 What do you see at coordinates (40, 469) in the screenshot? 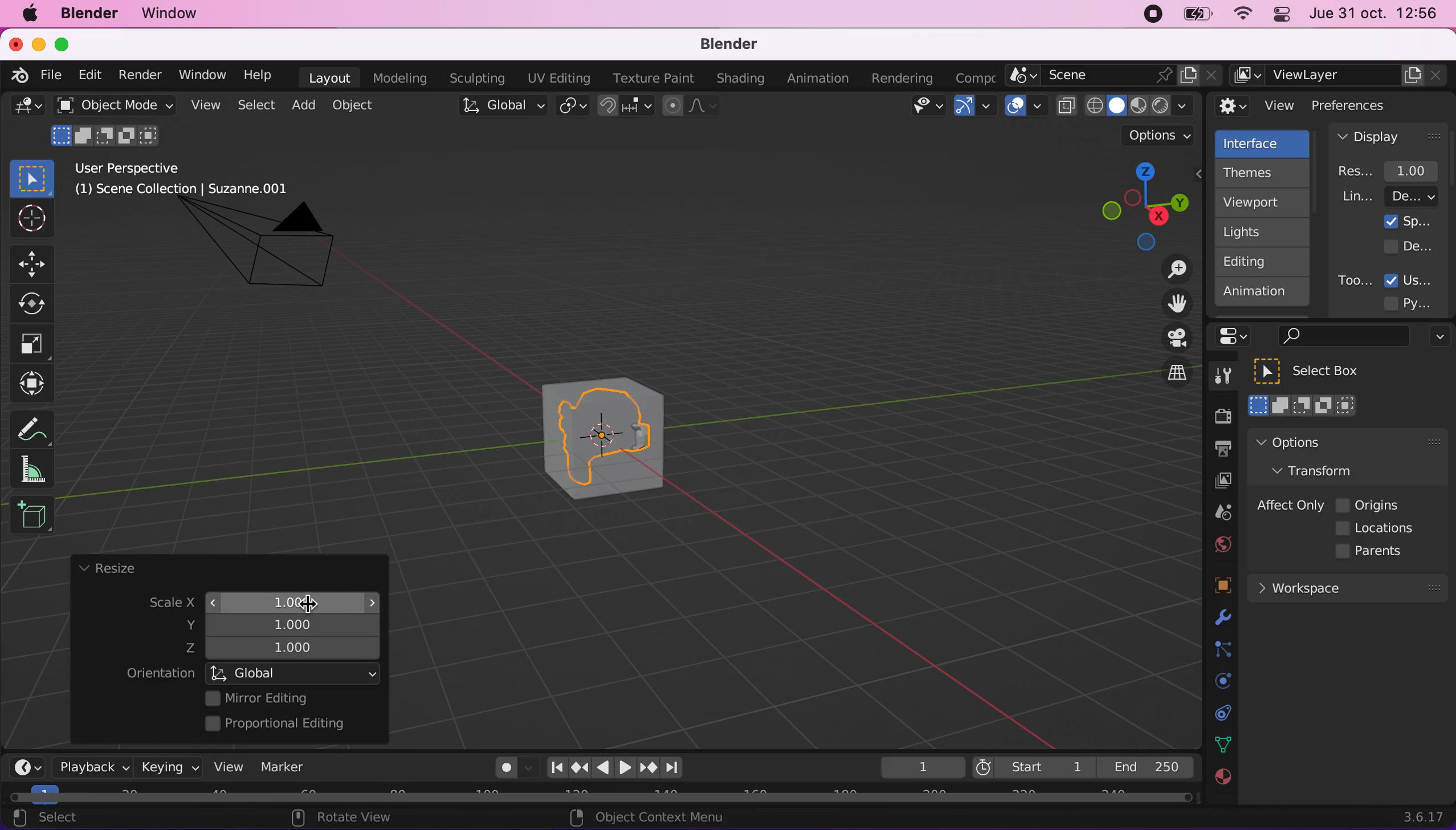
I see `measure` at bounding box center [40, 469].